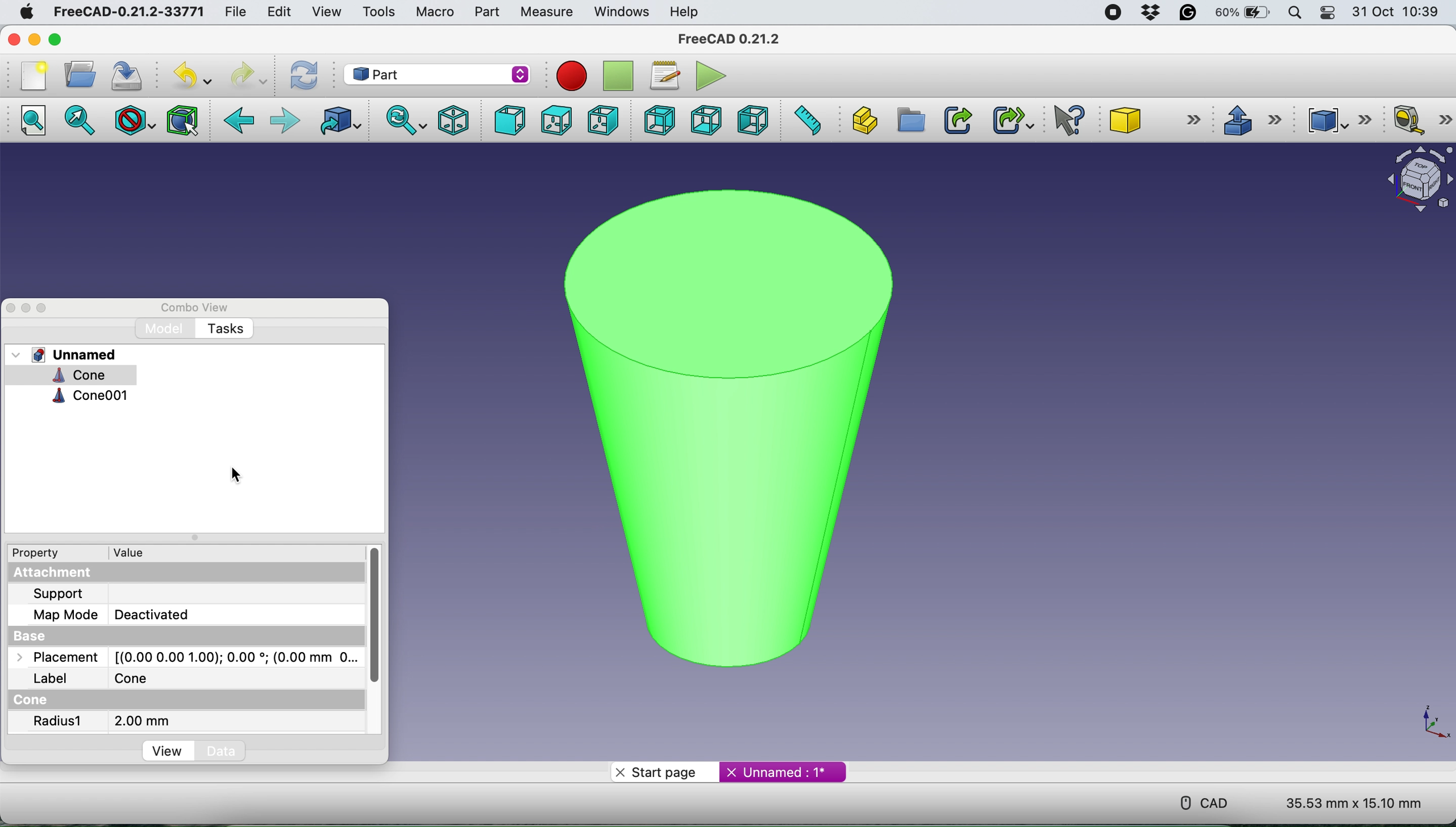 This screenshot has width=1456, height=827. What do you see at coordinates (34, 39) in the screenshot?
I see `minimise` at bounding box center [34, 39].